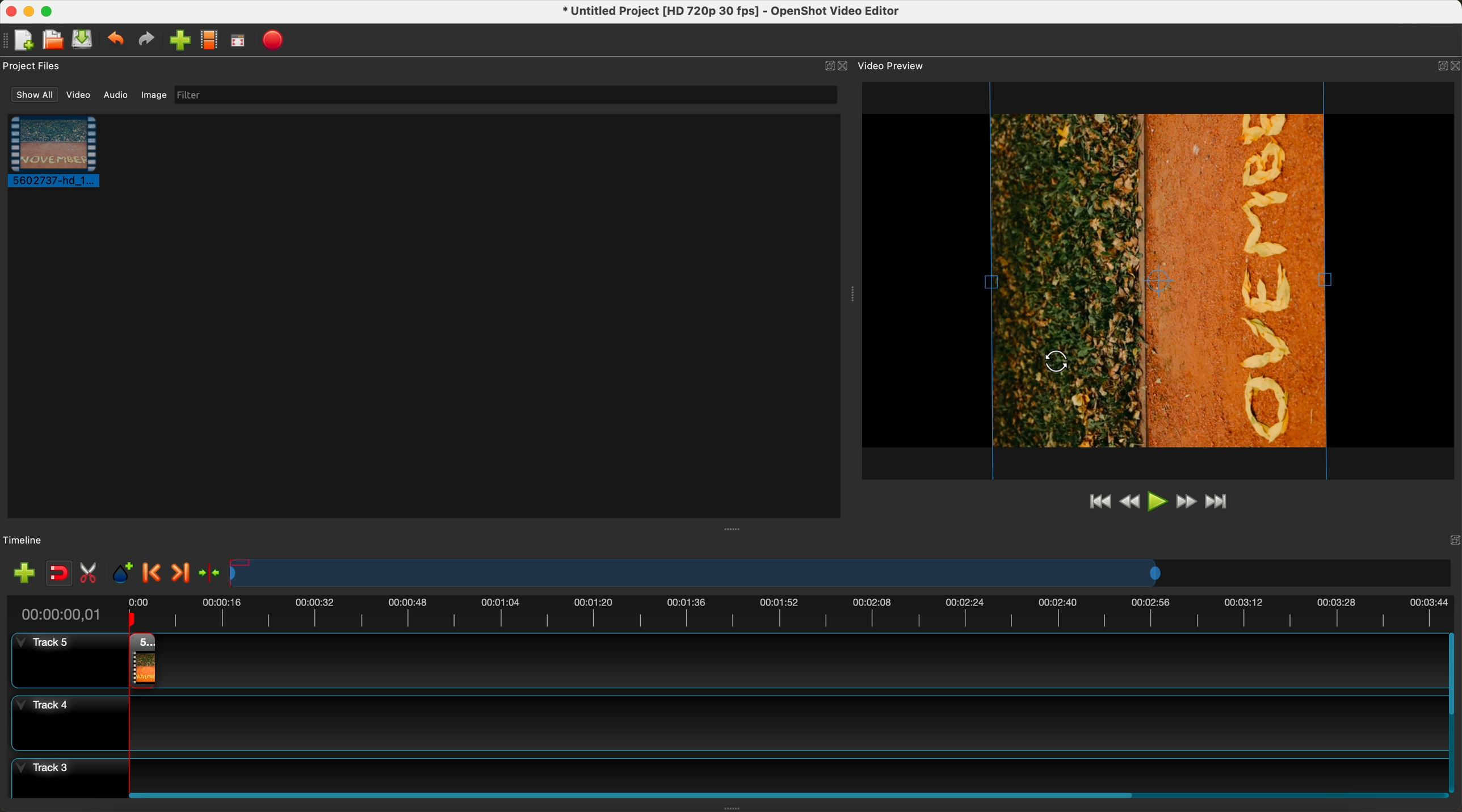  I want to click on track 5, so click(62, 660).